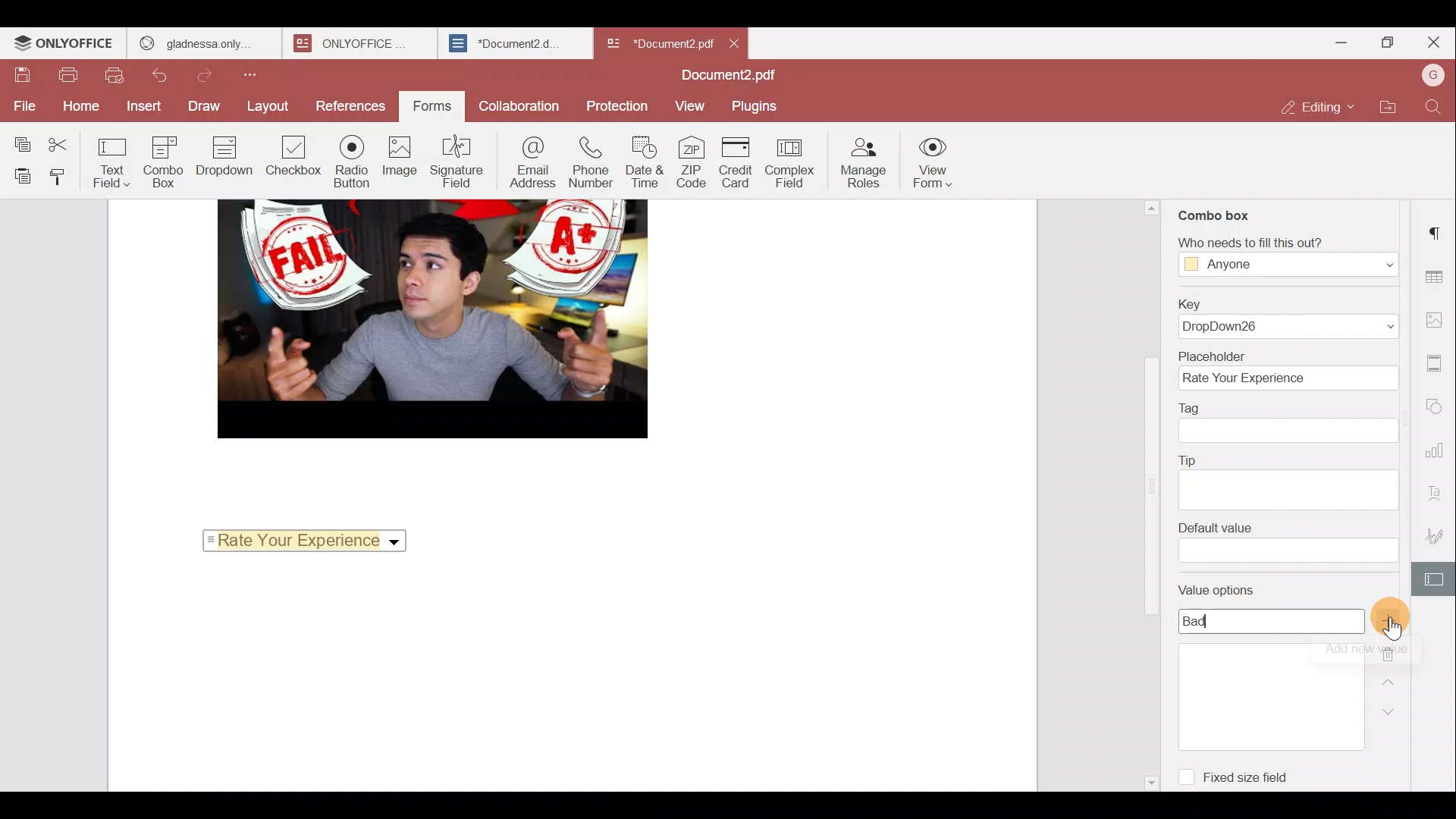 The width and height of the screenshot is (1456, 819). Describe the element at coordinates (400, 159) in the screenshot. I see `Image` at that location.